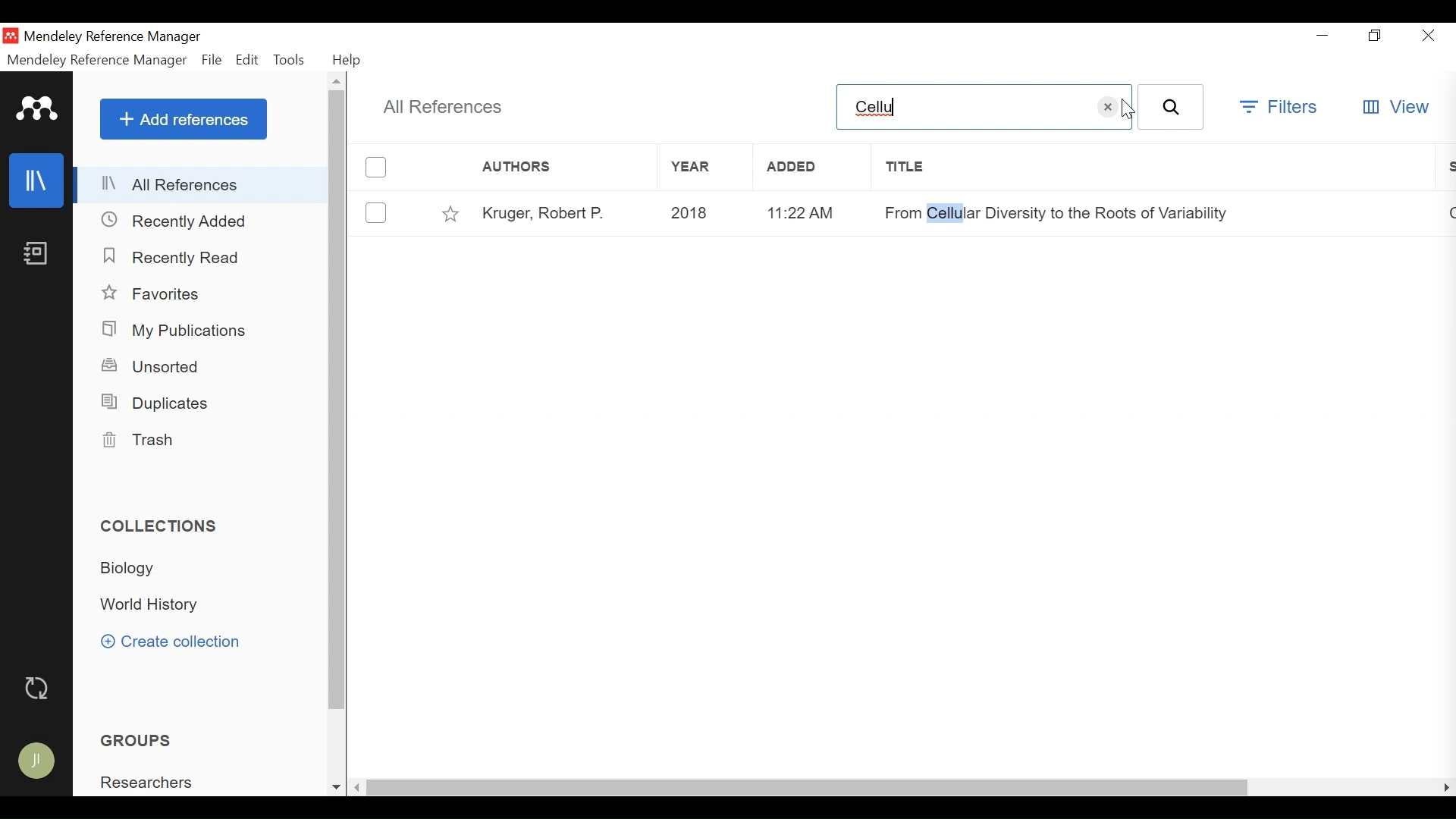  I want to click on Edit, so click(248, 61).